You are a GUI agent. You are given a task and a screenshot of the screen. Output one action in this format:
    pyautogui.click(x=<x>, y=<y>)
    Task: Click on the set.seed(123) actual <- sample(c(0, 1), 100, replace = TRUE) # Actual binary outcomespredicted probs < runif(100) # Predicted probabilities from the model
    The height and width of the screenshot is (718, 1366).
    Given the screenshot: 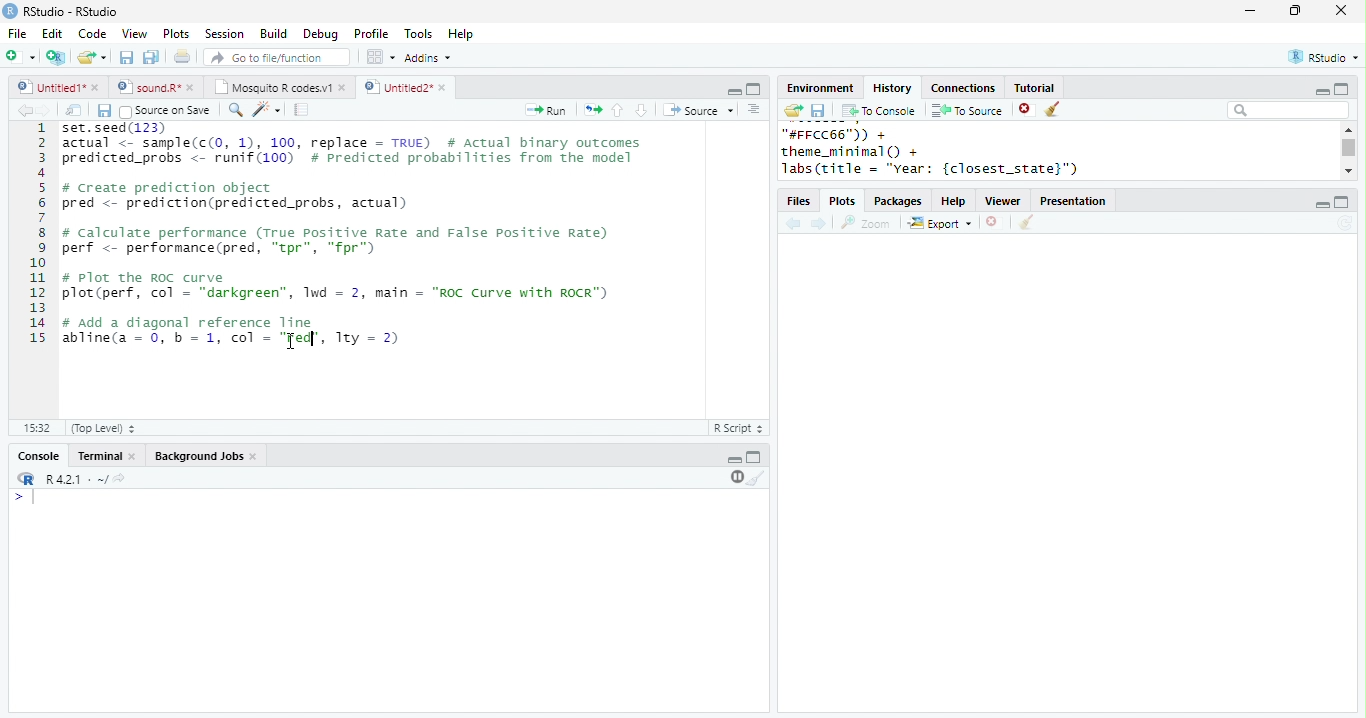 What is the action you would take?
    pyautogui.click(x=355, y=148)
    